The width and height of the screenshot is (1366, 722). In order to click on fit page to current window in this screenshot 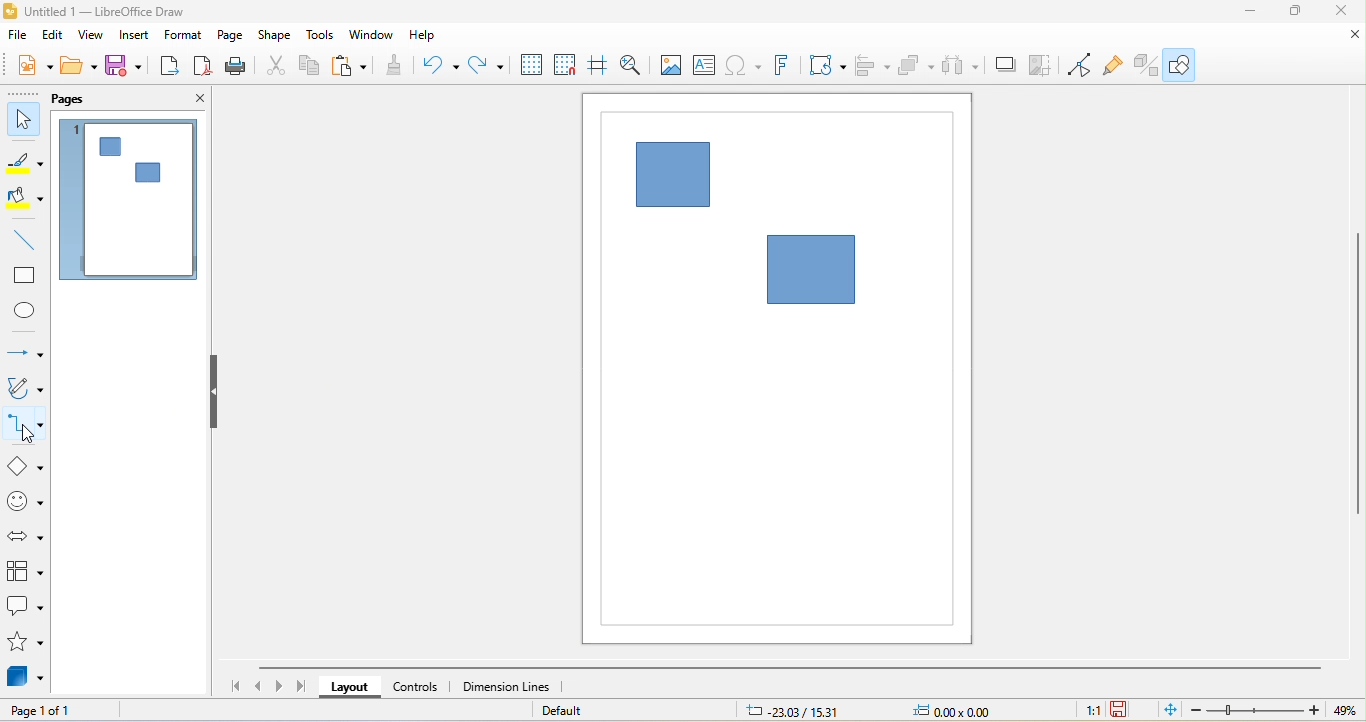, I will do `click(1167, 712)`.